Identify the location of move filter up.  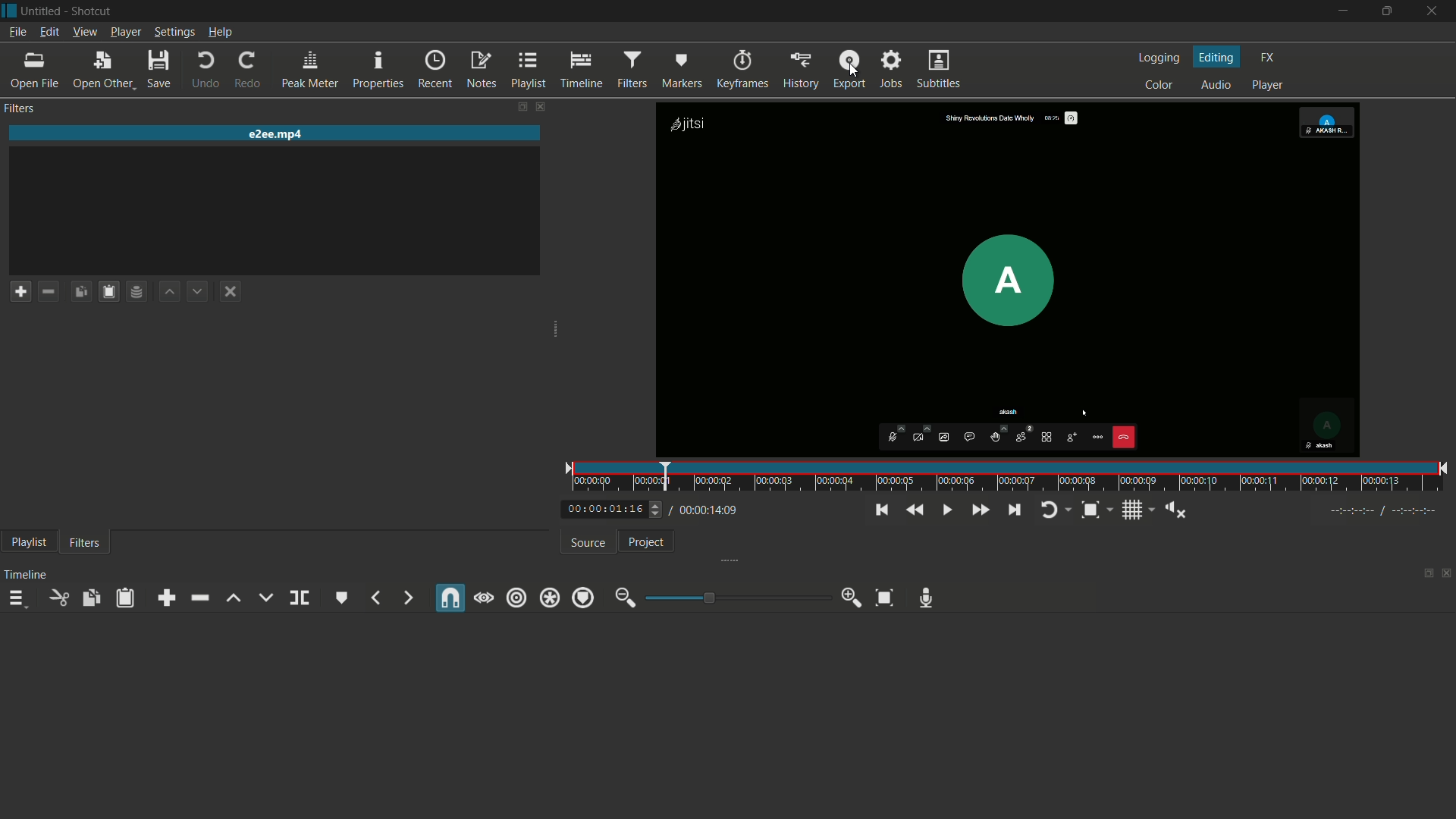
(168, 290).